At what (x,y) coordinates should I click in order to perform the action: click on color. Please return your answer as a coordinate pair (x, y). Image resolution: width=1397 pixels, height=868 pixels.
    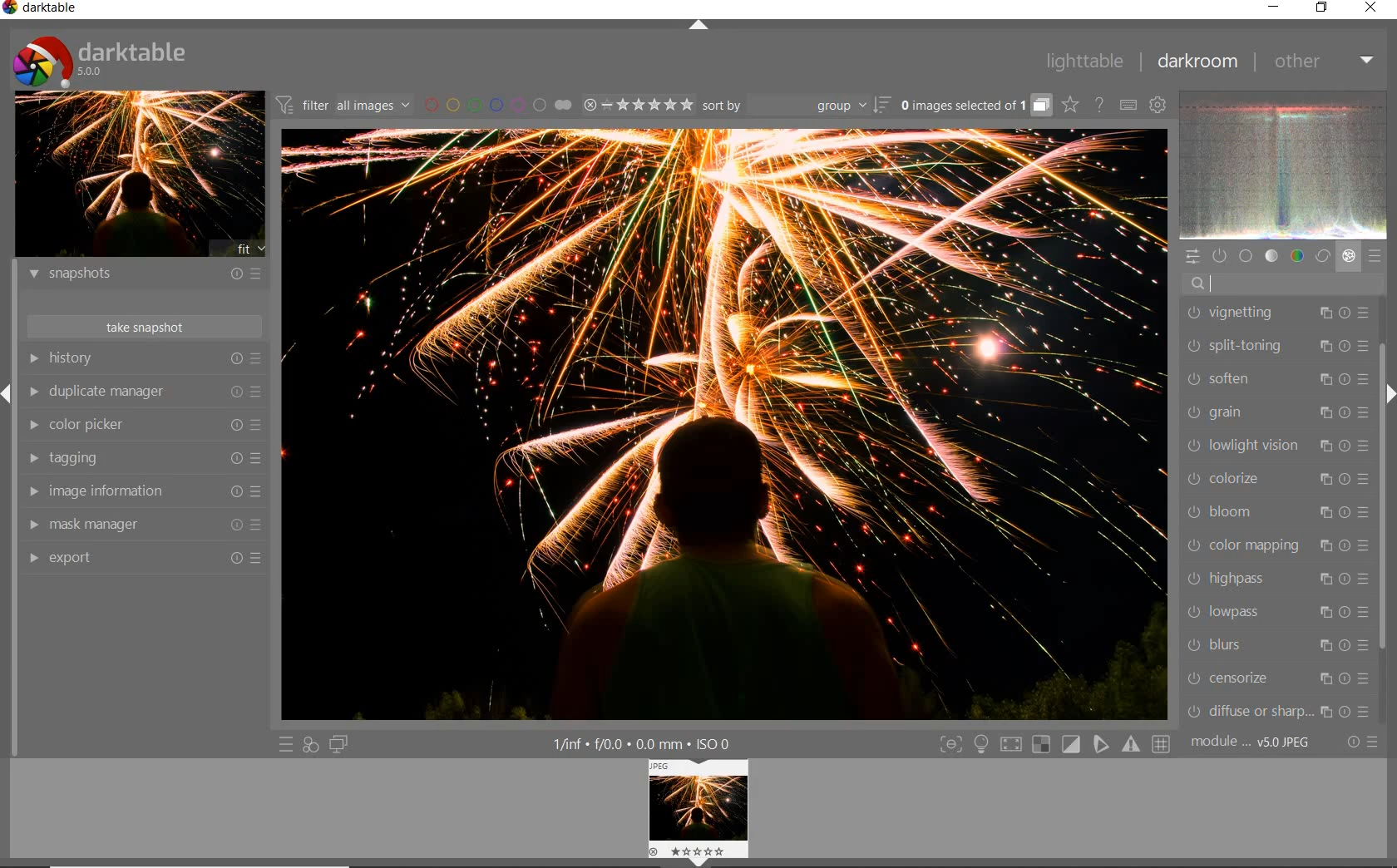
    Looking at the image, I should click on (1298, 256).